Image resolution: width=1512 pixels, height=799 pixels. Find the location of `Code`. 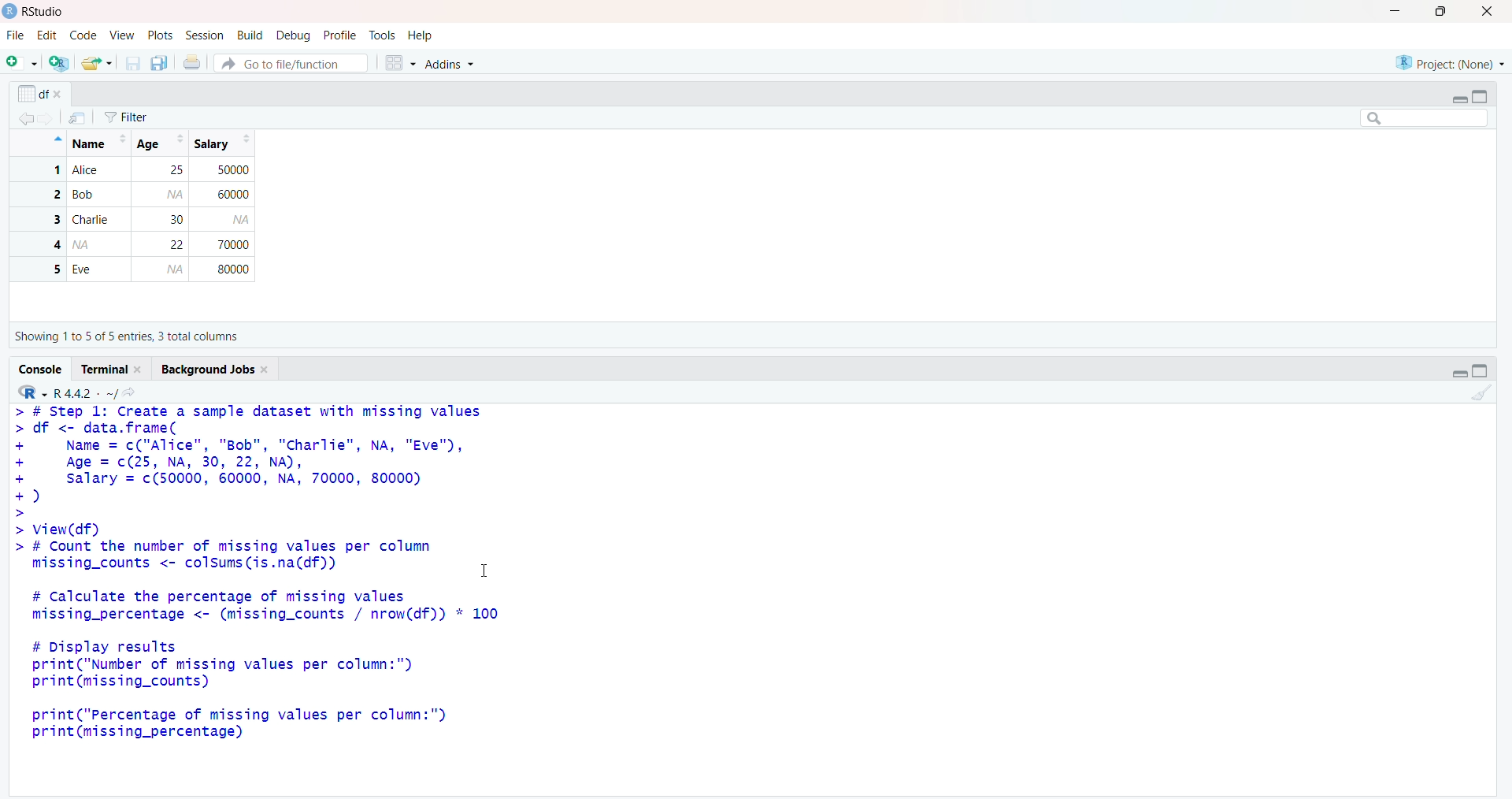

Code is located at coordinates (80, 35).